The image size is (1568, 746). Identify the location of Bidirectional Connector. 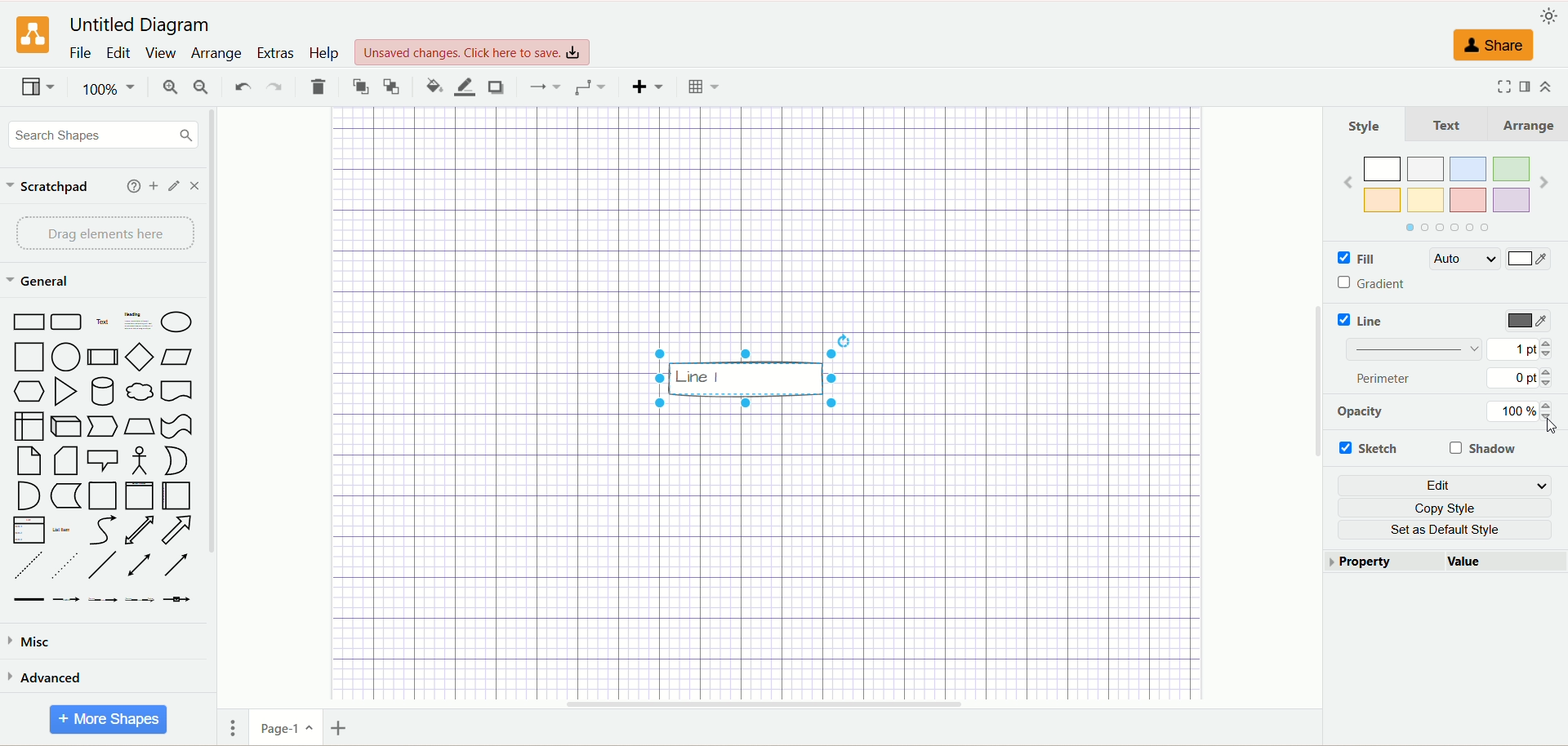
(140, 565).